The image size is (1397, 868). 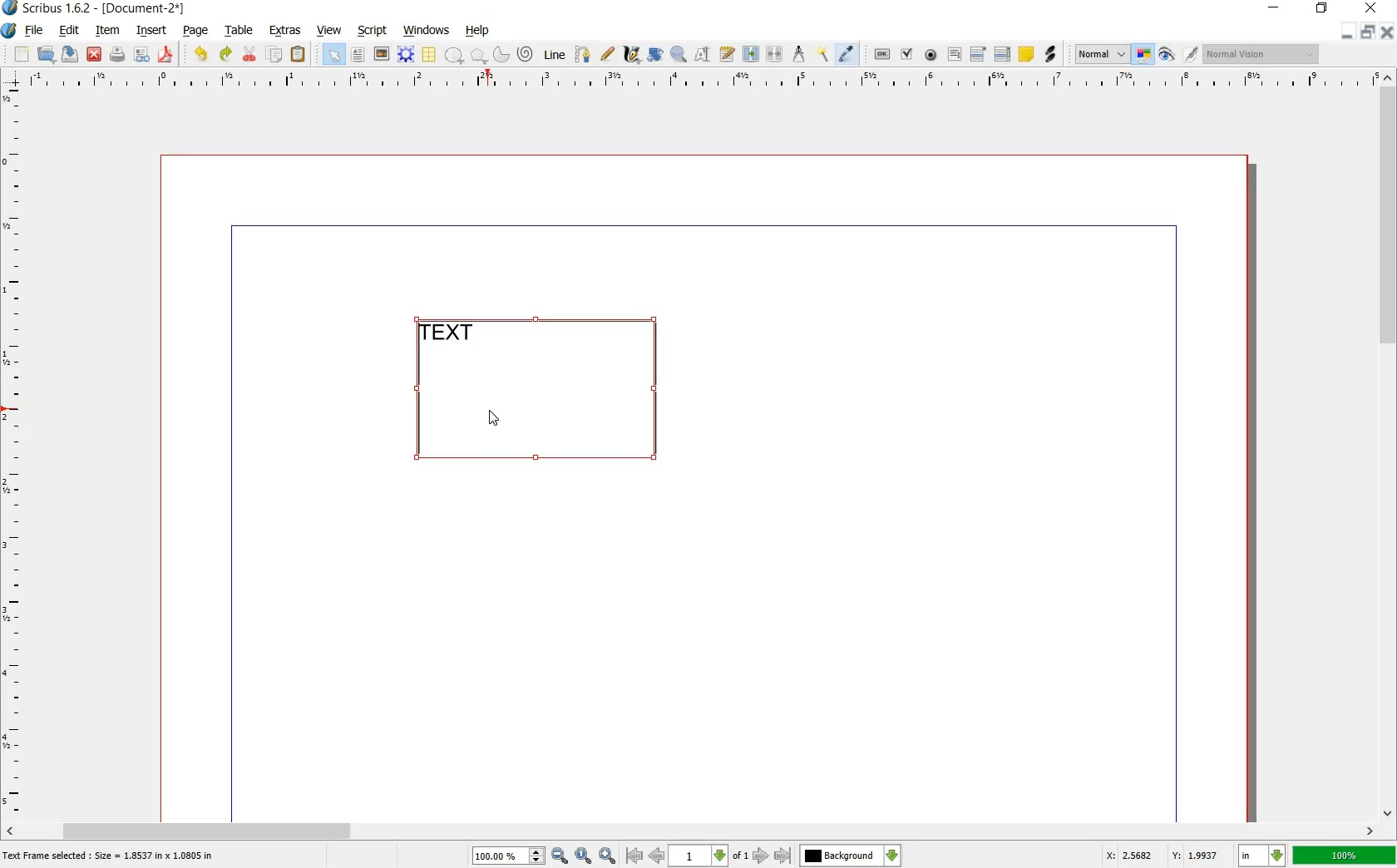 What do you see at coordinates (380, 54) in the screenshot?
I see `image frame` at bounding box center [380, 54].